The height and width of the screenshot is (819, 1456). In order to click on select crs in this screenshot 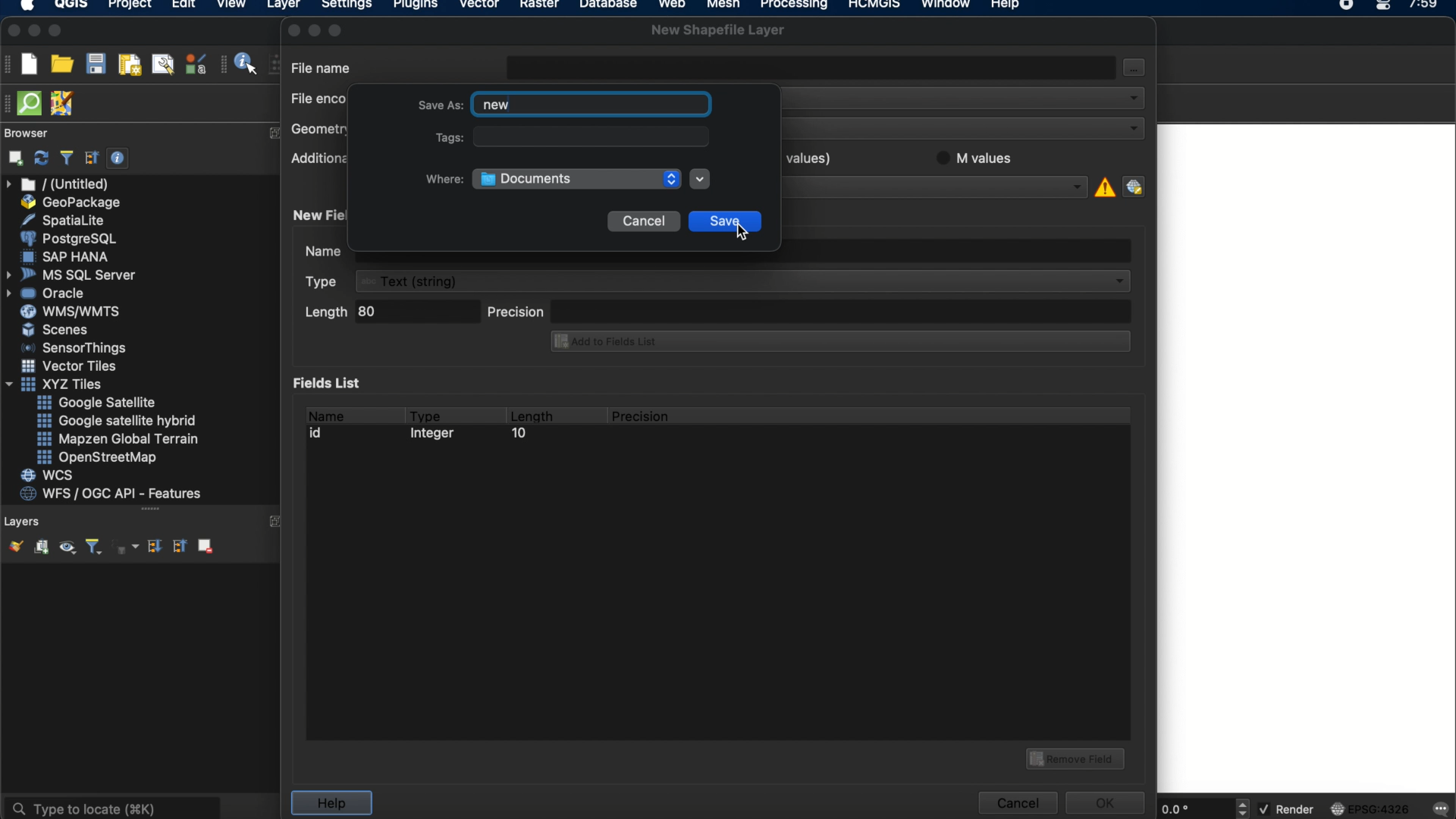, I will do `click(1134, 186)`.